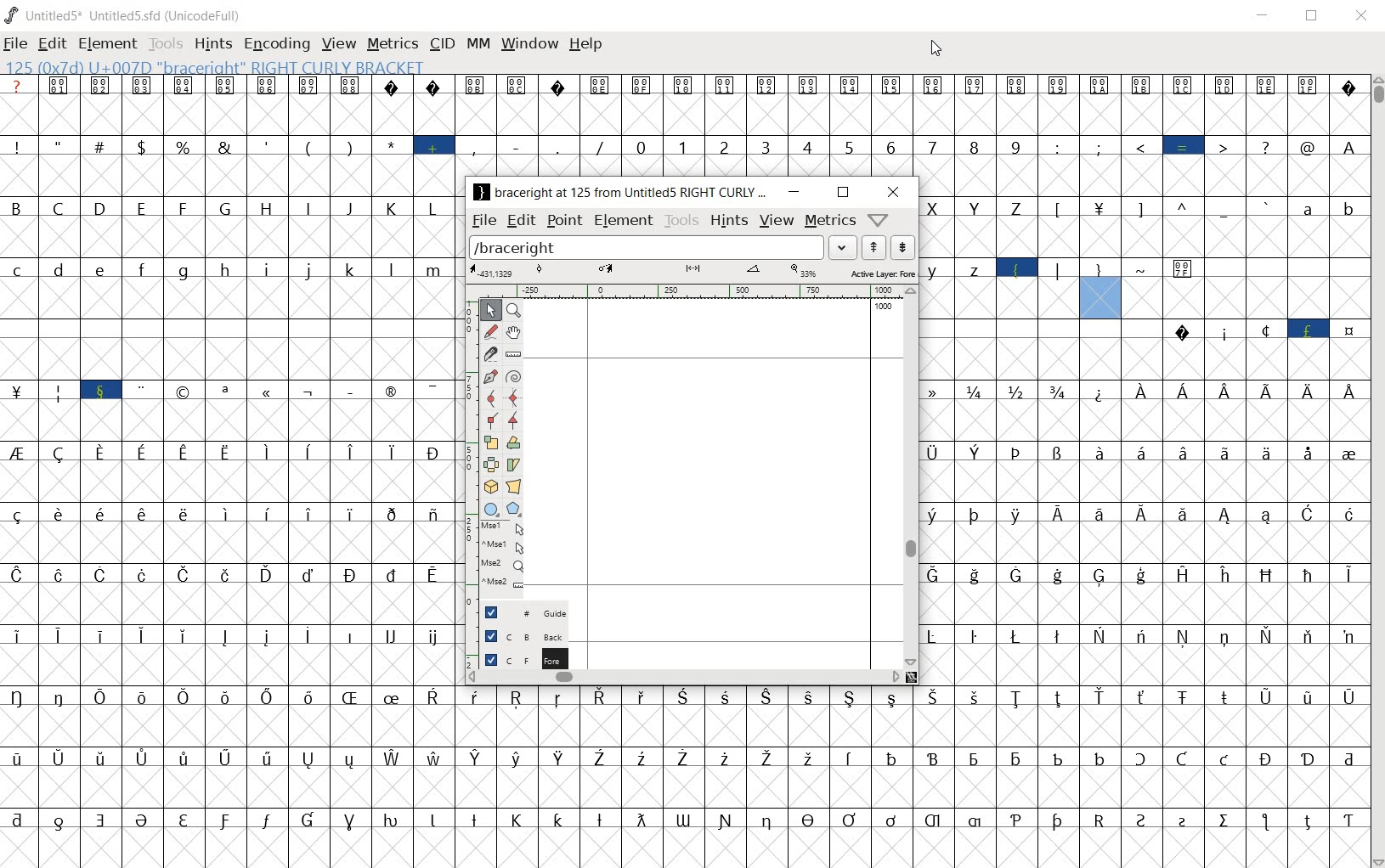 This screenshot has width=1385, height=868. Describe the element at coordinates (497, 557) in the screenshot. I see `mse1 mse1 mse2 mse2` at that location.